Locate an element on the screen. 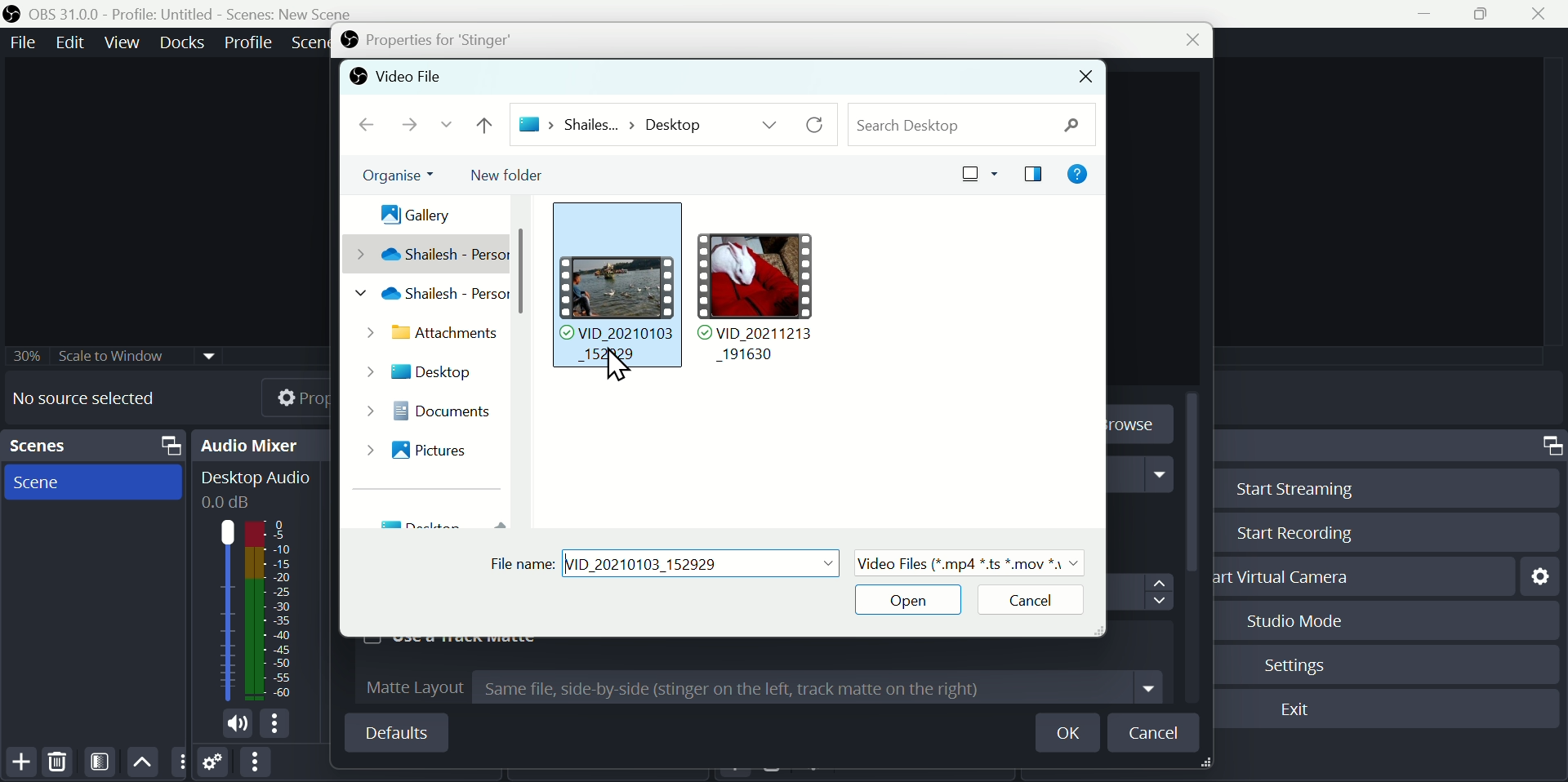 This screenshot has height=782, width=1568.  is located at coordinates (185, 42).